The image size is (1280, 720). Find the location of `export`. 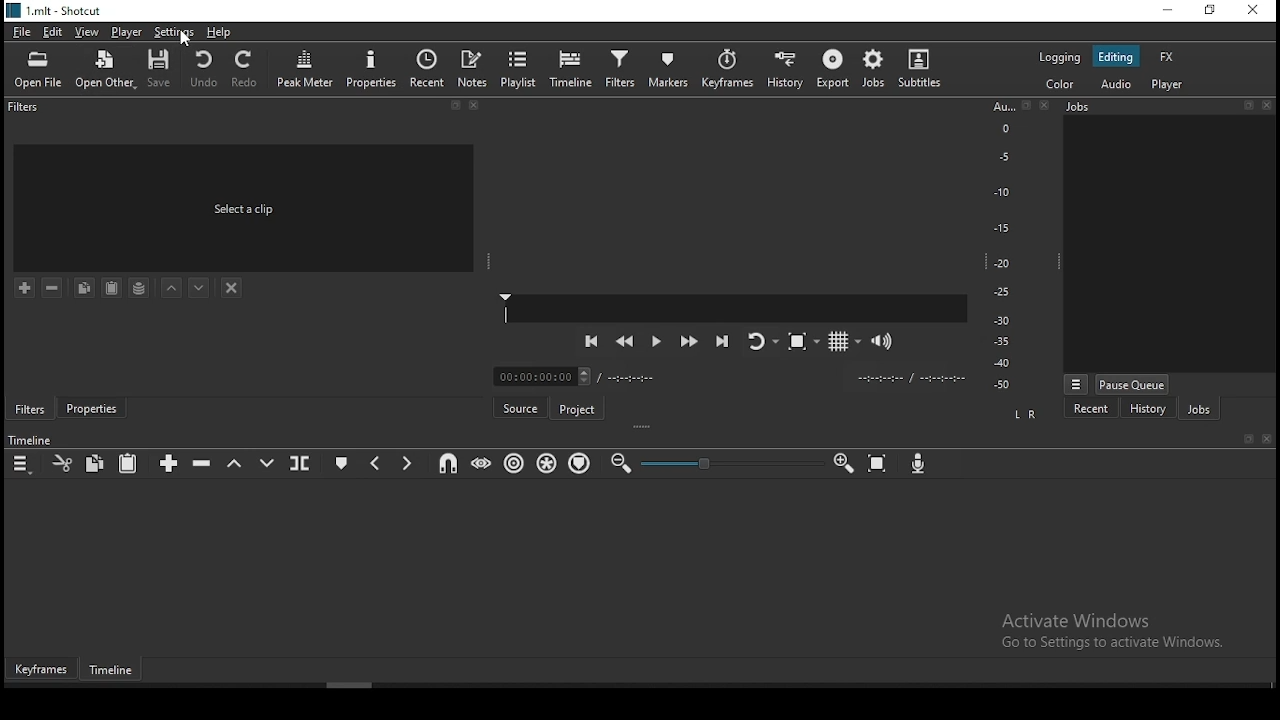

export is located at coordinates (831, 72).